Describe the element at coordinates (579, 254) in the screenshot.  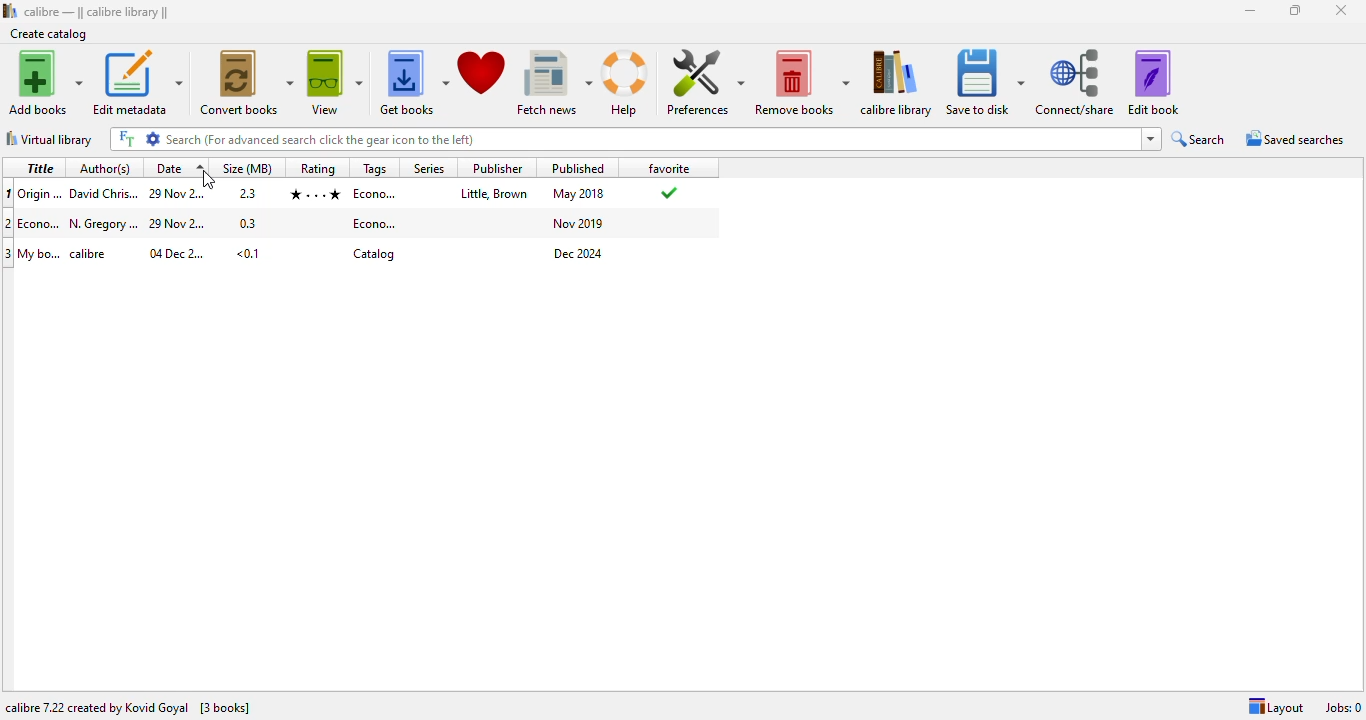
I see `publish date` at that location.